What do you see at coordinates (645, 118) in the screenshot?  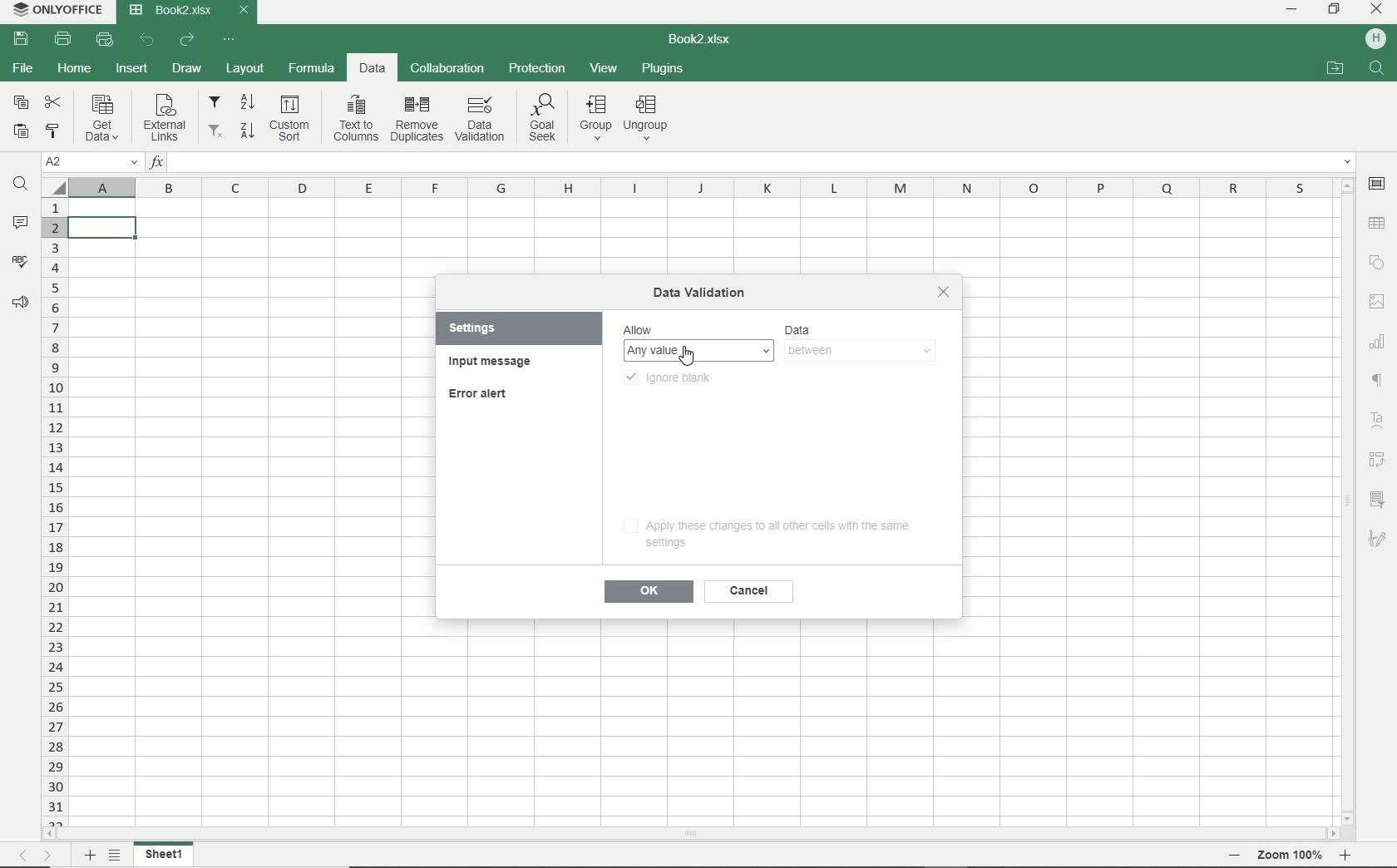 I see `ungroup` at bounding box center [645, 118].